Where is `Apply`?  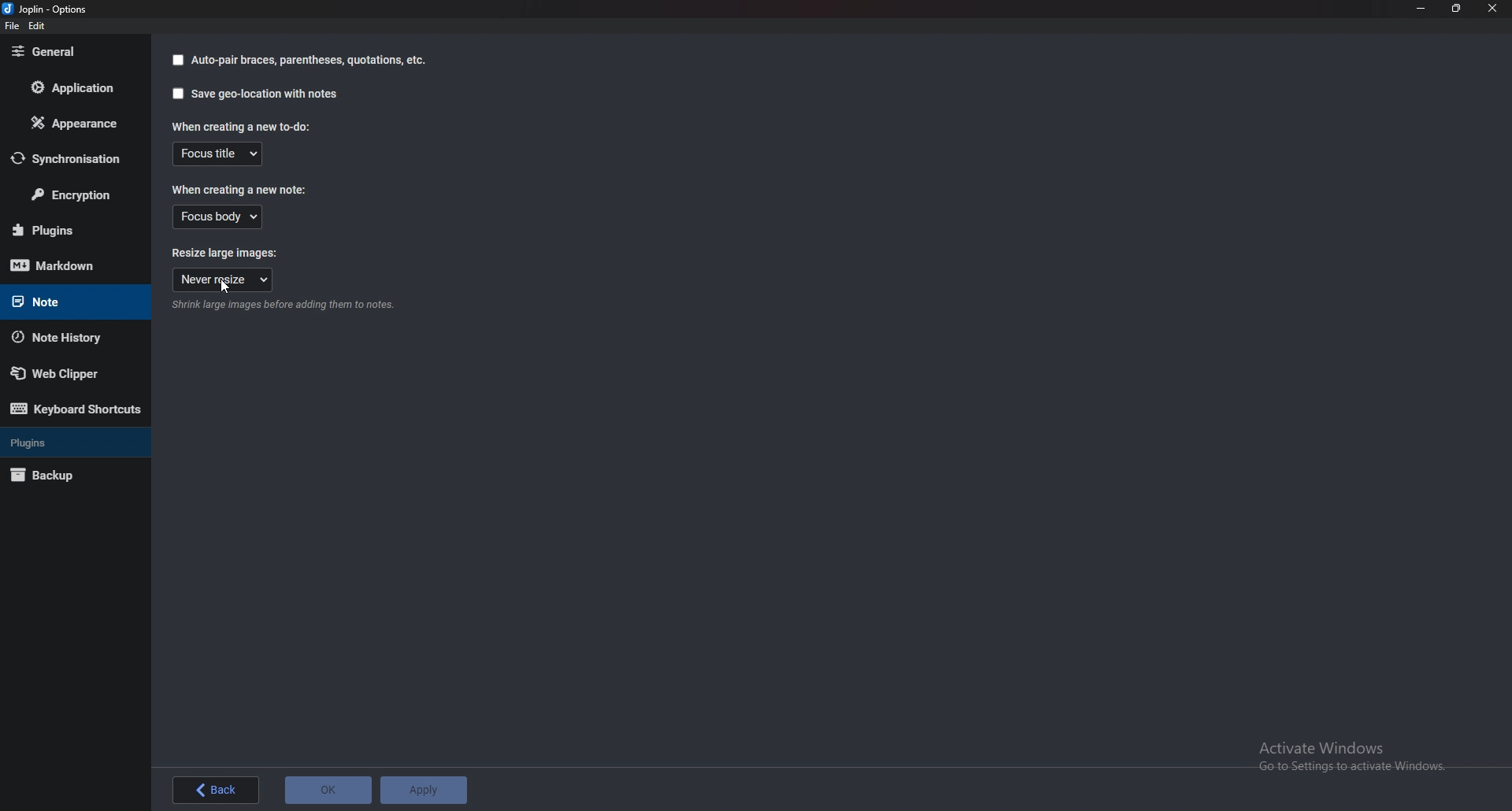 Apply is located at coordinates (423, 791).